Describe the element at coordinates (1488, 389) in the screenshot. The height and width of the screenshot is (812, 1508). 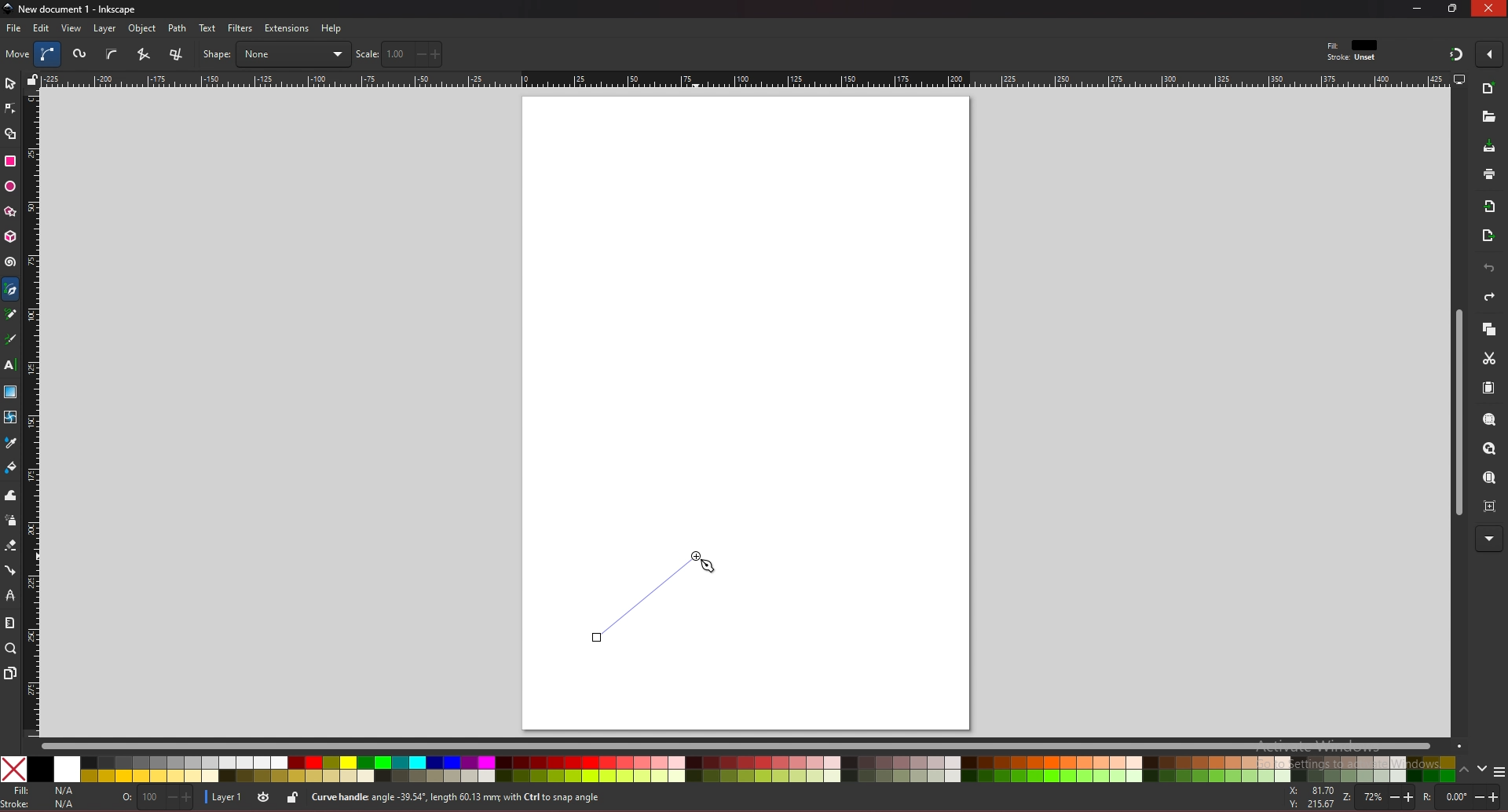
I see `paste` at that location.